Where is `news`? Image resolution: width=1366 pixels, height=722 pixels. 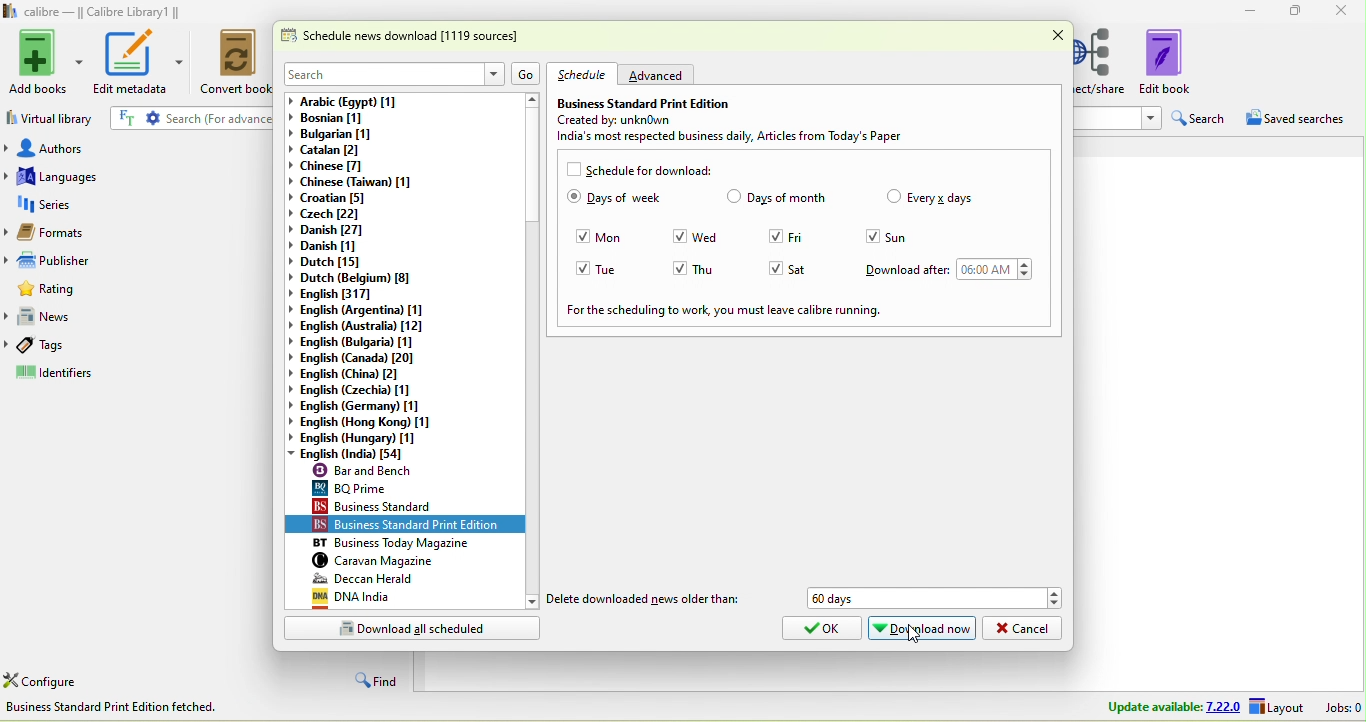 news is located at coordinates (143, 319).